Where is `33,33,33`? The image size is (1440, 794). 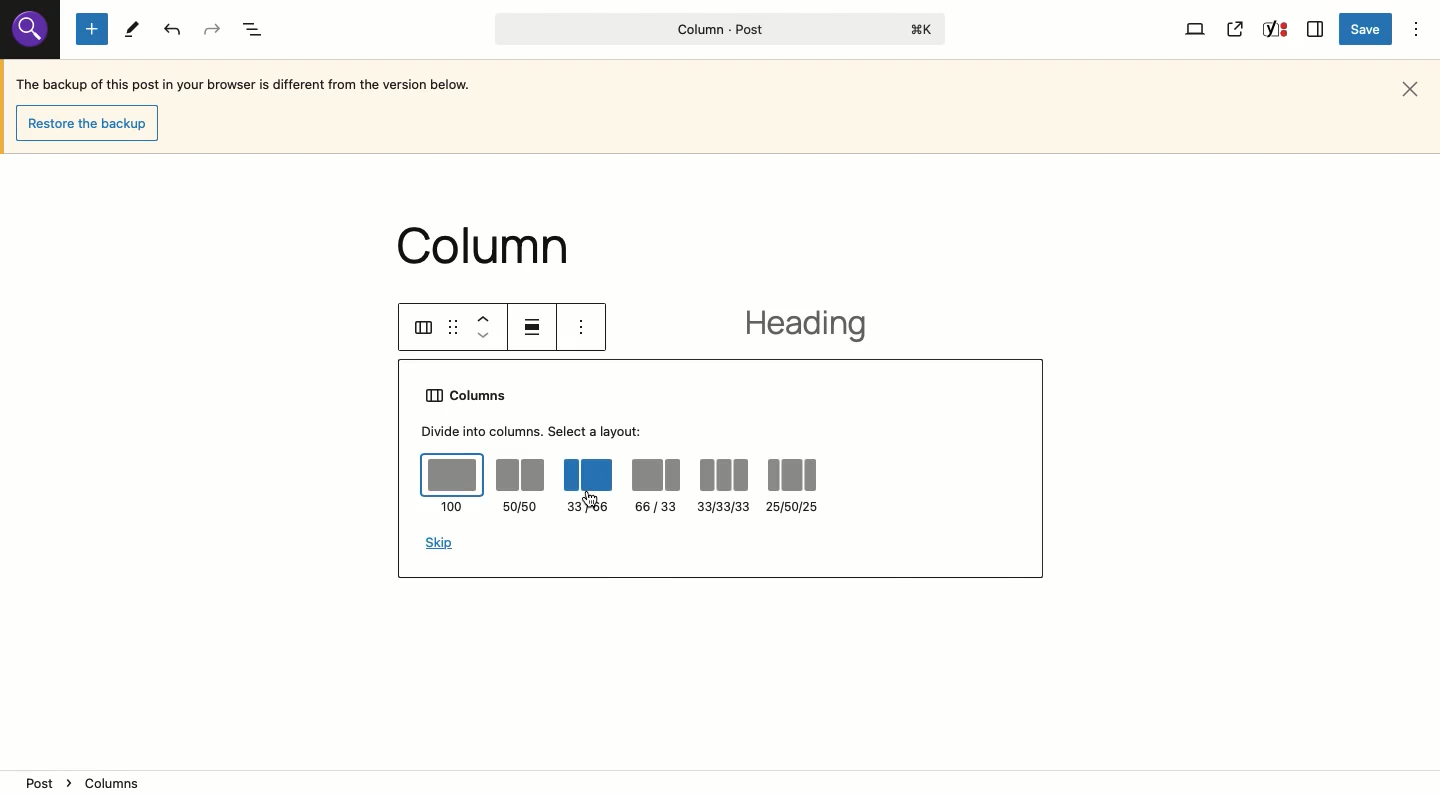
33,33,33 is located at coordinates (723, 484).